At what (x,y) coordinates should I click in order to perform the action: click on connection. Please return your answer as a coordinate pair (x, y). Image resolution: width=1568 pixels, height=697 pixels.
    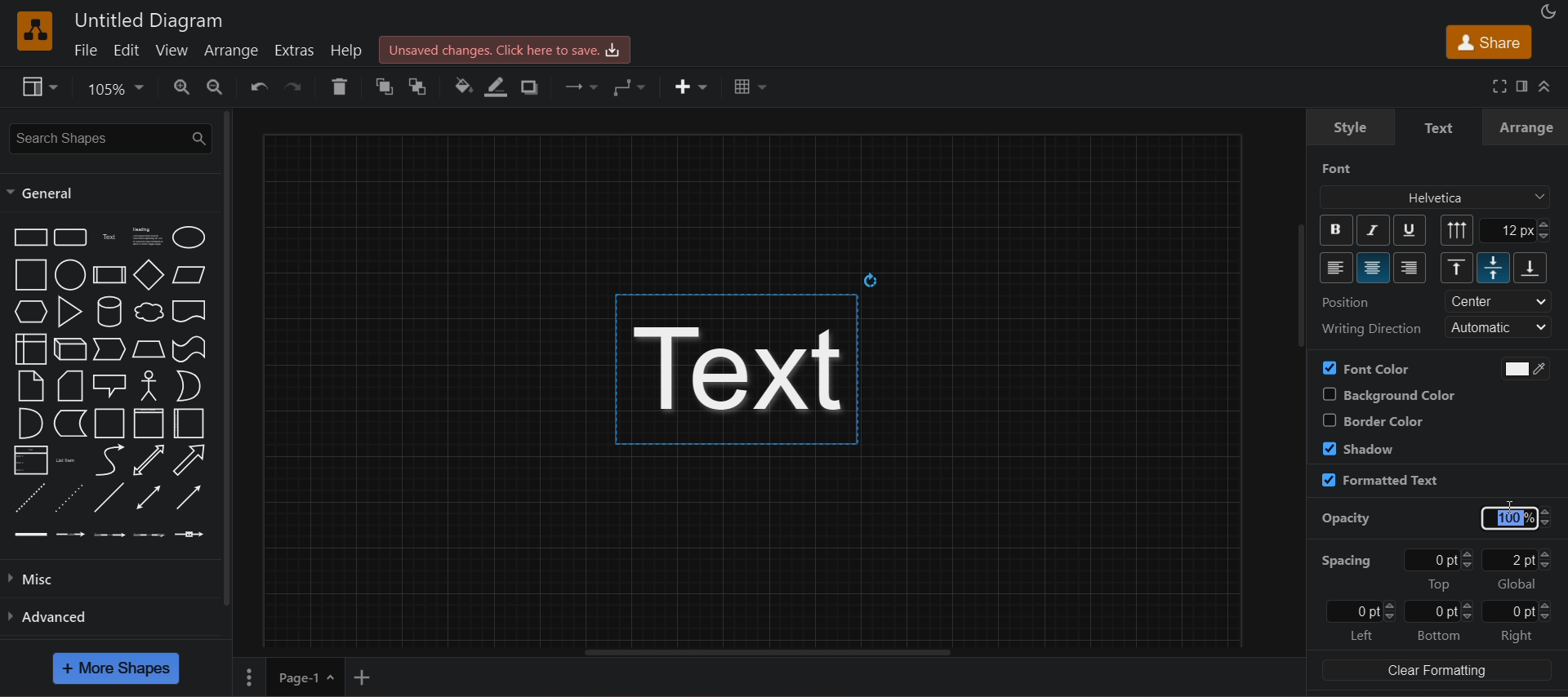
    Looking at the image, I should click on (578, 84).